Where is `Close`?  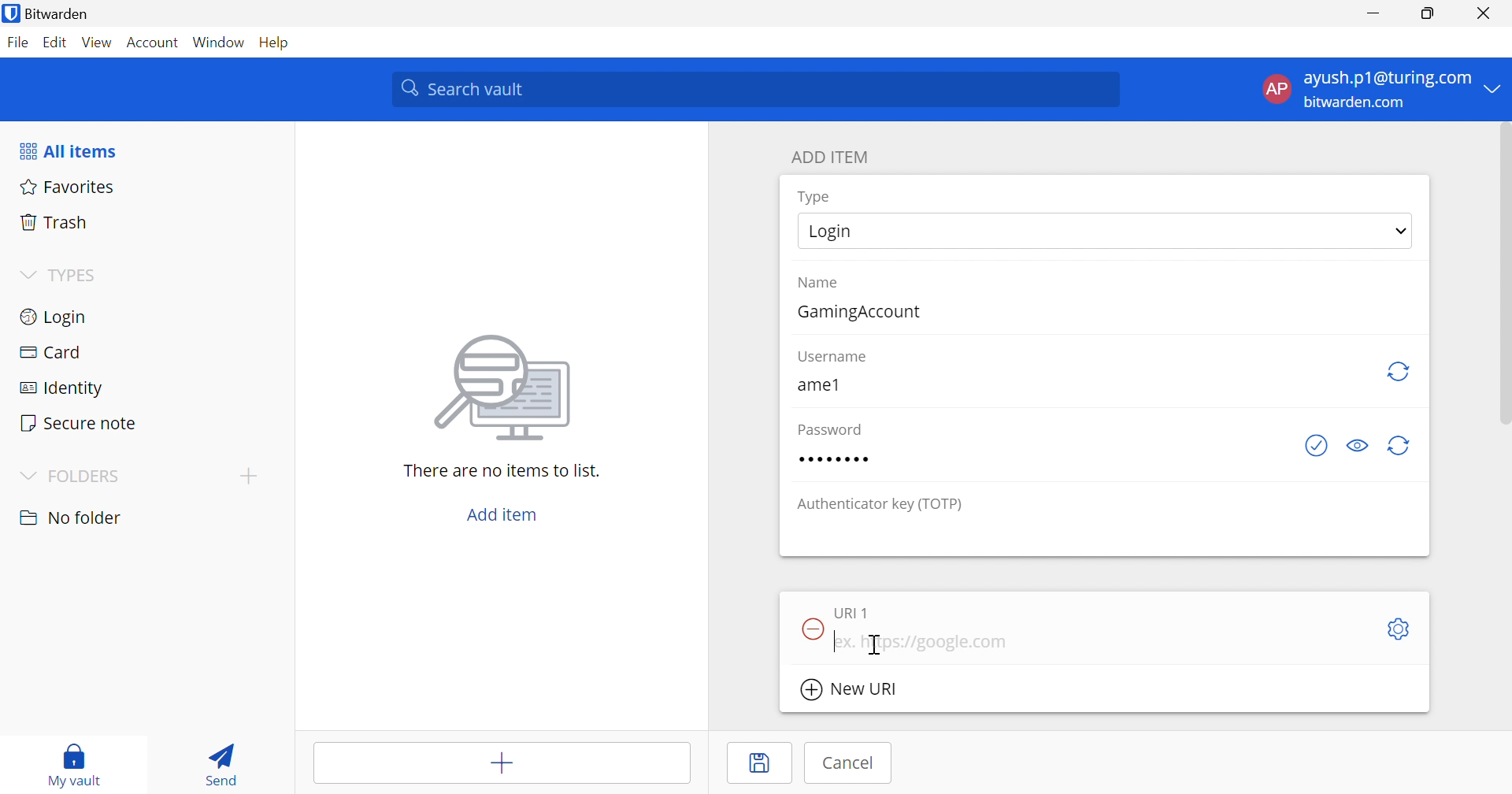 Close is located at coordinates (1486, 15).